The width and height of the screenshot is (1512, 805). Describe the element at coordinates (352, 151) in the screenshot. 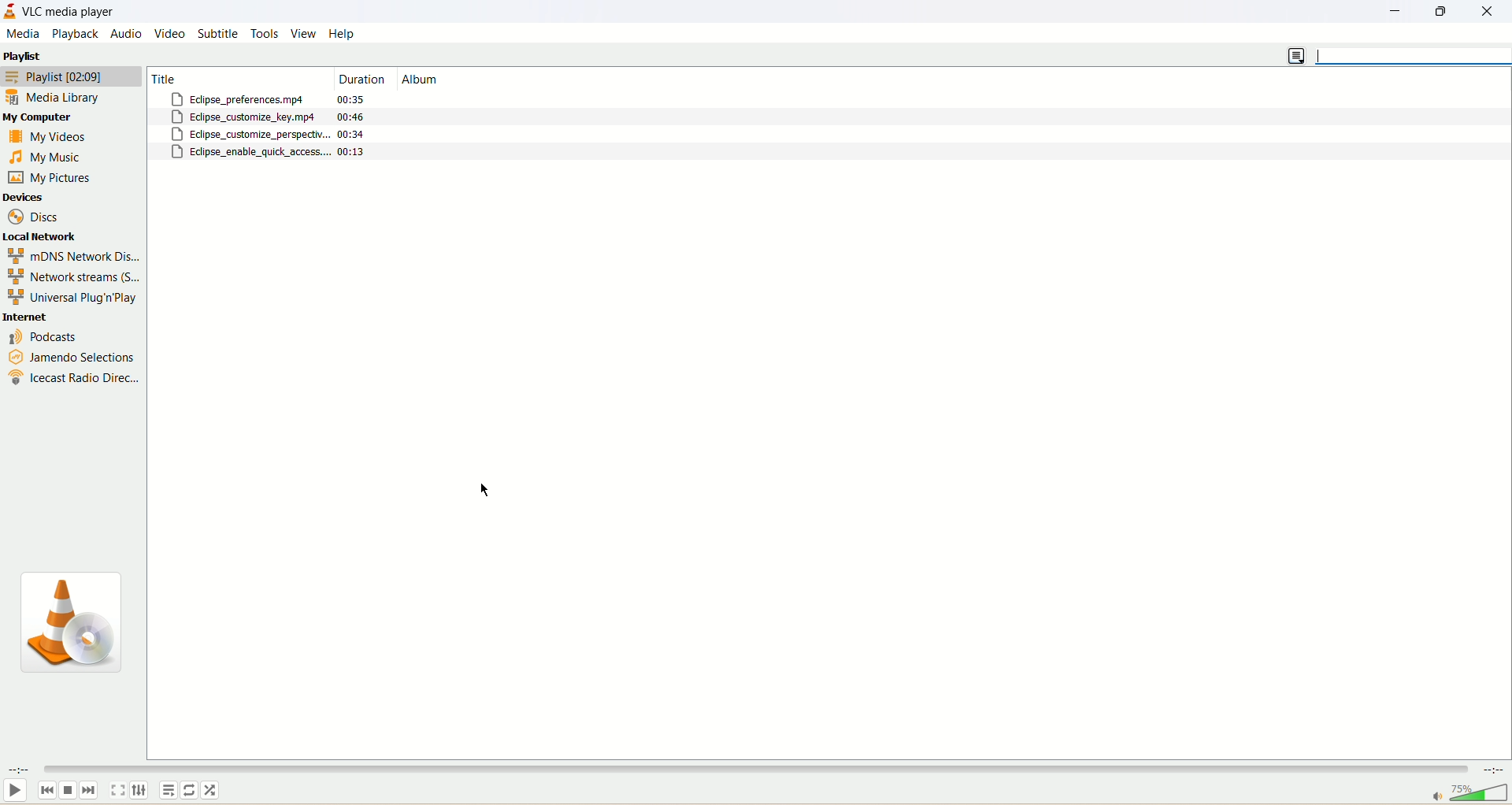

I see `00:13` at that location.